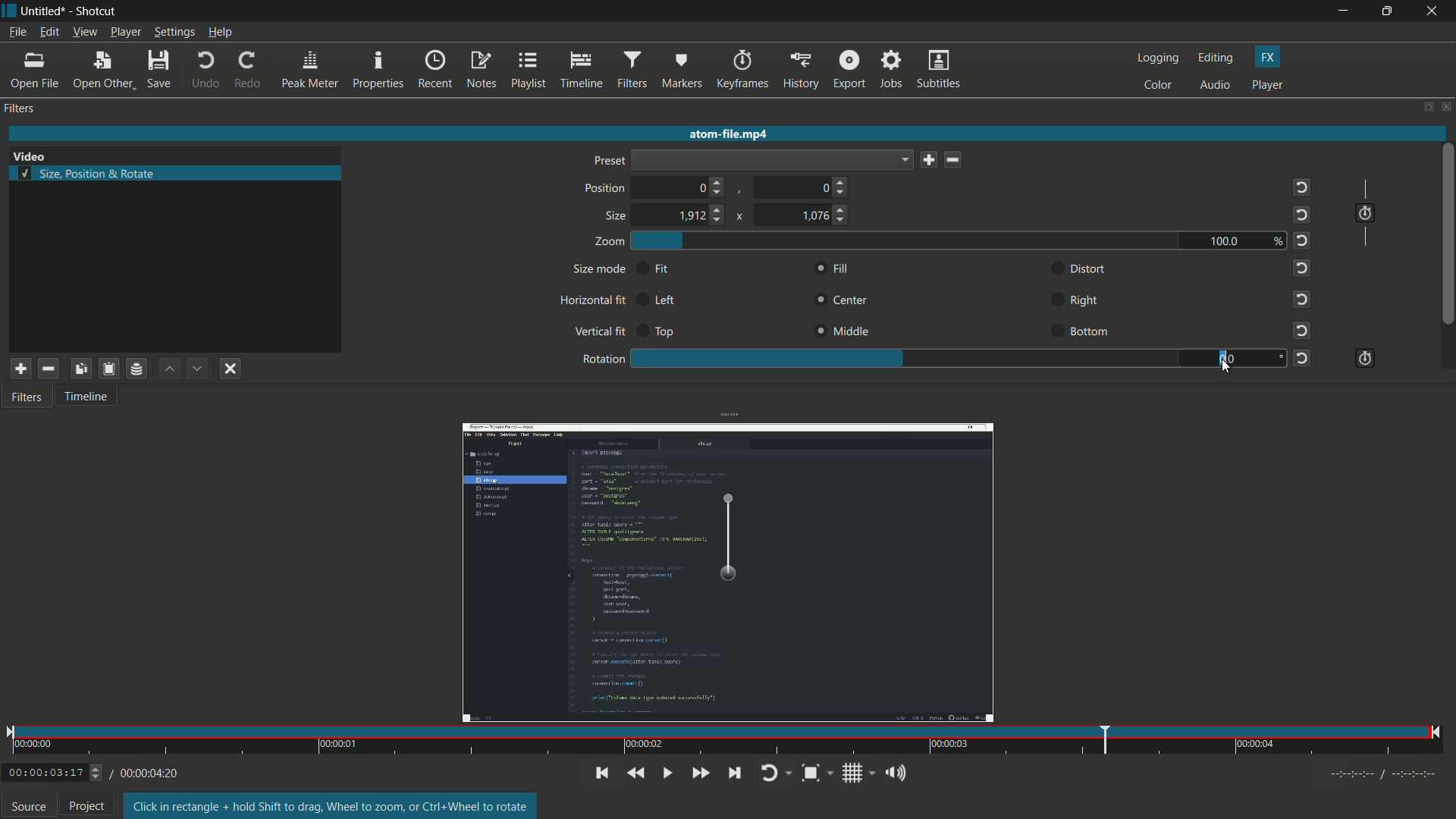  What do you see at coordinates (666, 301) in the screenshot?
I see `left` at bounding box center [666, 301].